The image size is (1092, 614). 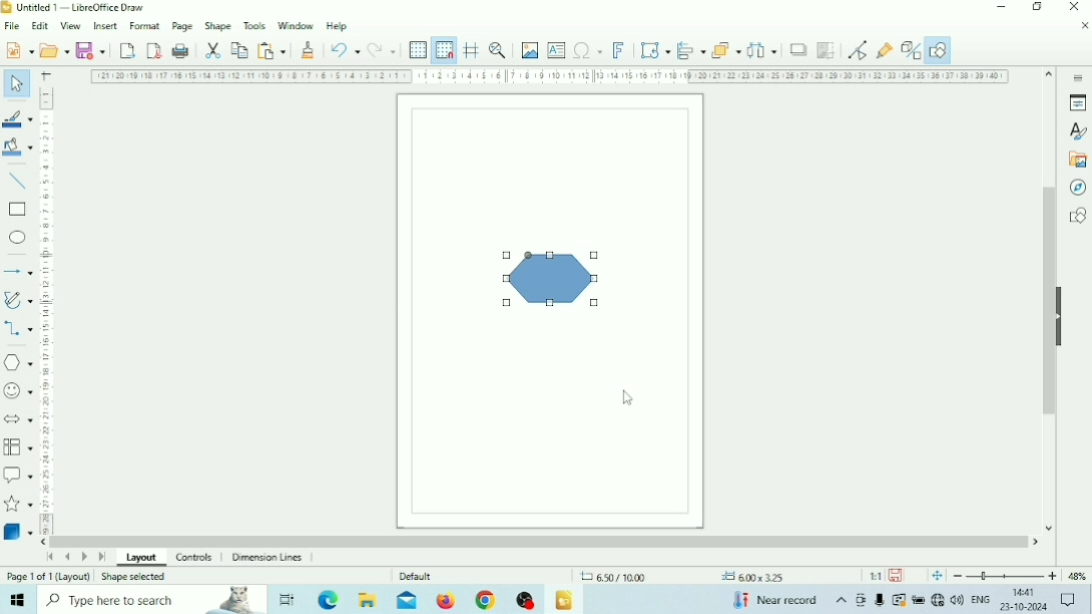 What do you see at coordinates (682, 577) in the screenshot?
I see `Cursor positions` at bounding box center [682, 577].